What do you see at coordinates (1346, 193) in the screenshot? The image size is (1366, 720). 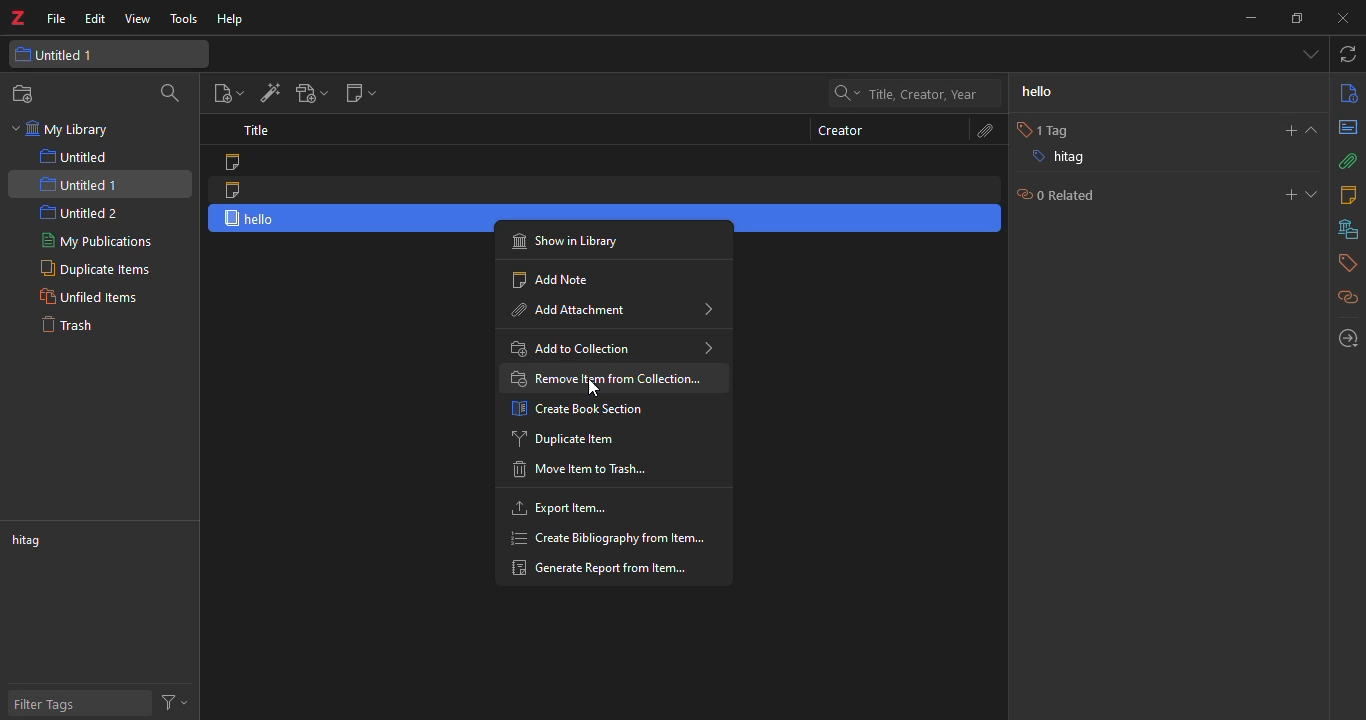 I see `notes` at bounding box center [1346, 193].